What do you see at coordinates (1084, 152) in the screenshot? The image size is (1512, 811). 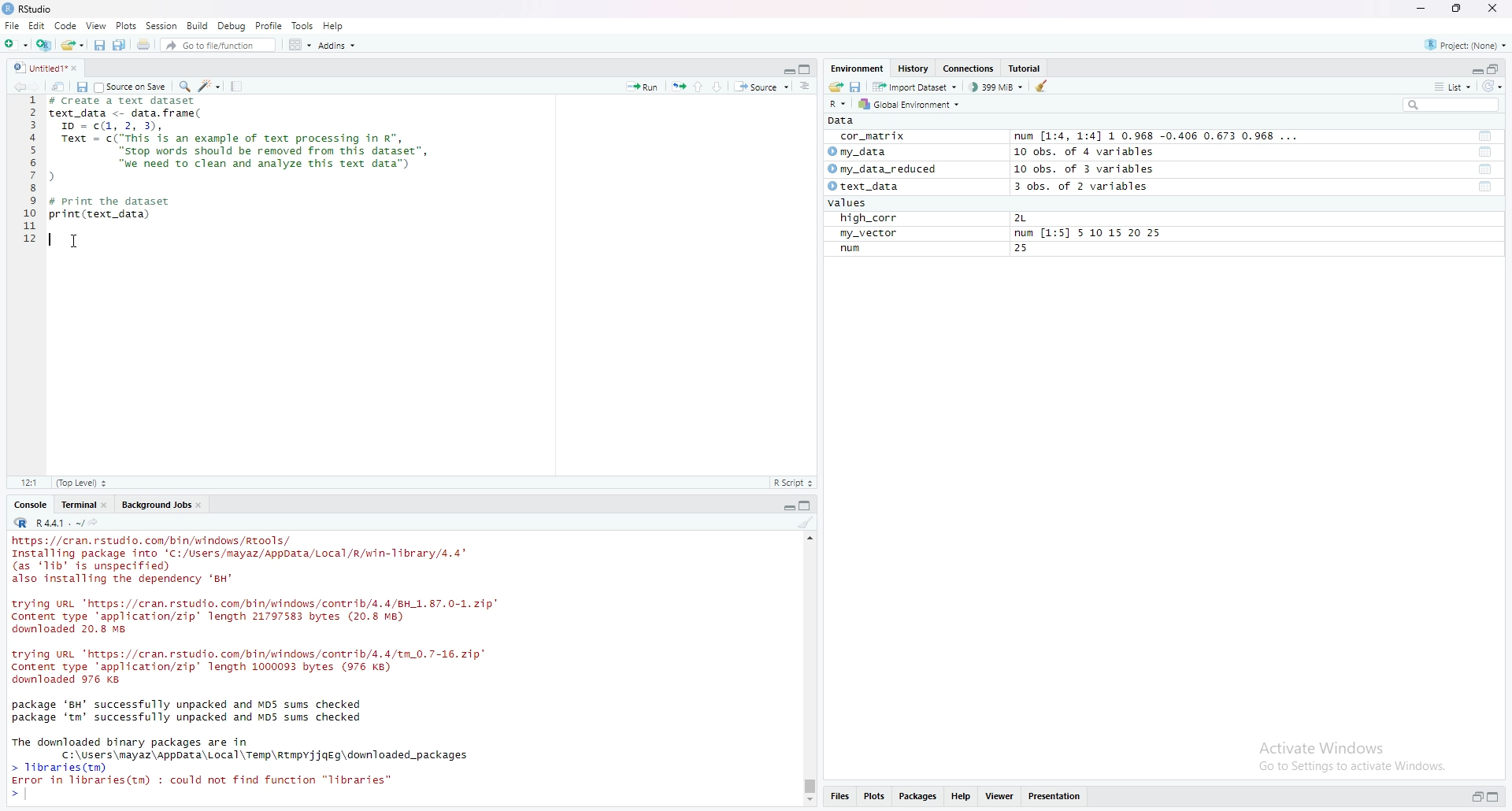 I see `10 obs. of 4 variables` at bounding box center [1084, 152].